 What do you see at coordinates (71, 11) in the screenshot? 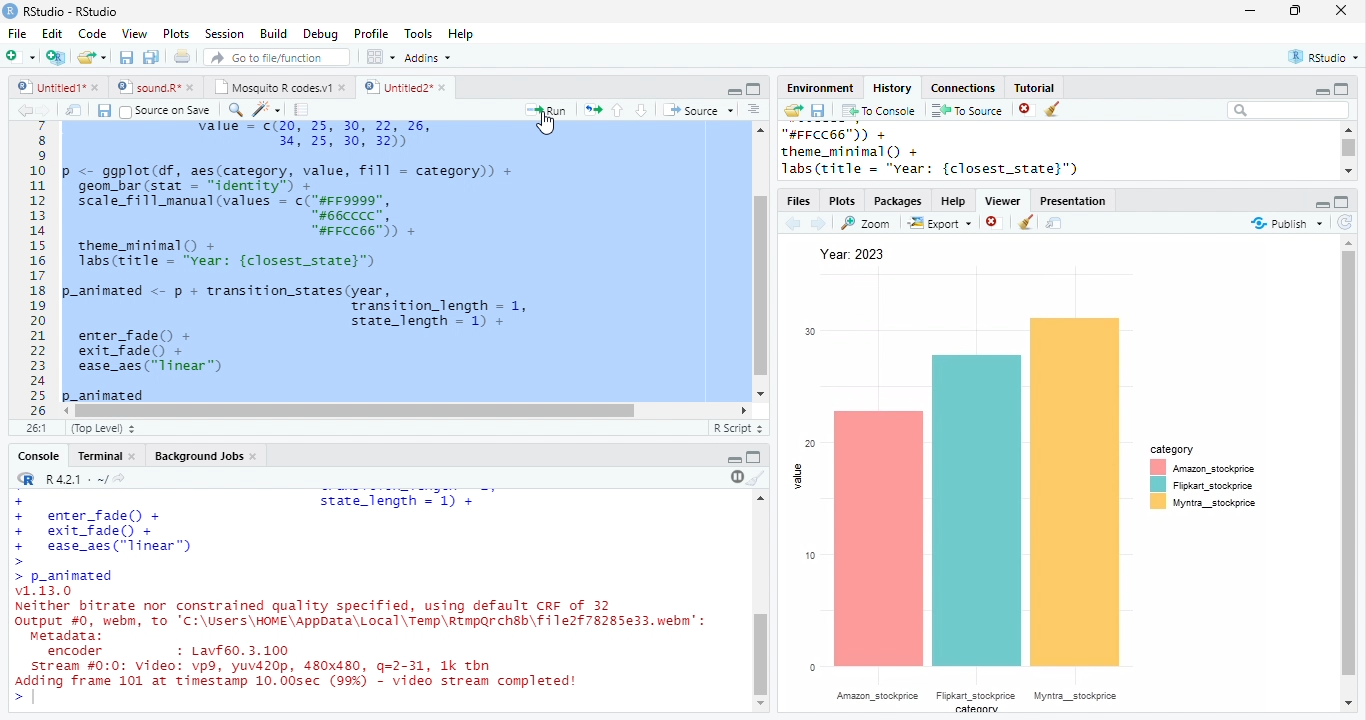
I see `RStudio-RStudio` at bounding box center [71, 11].